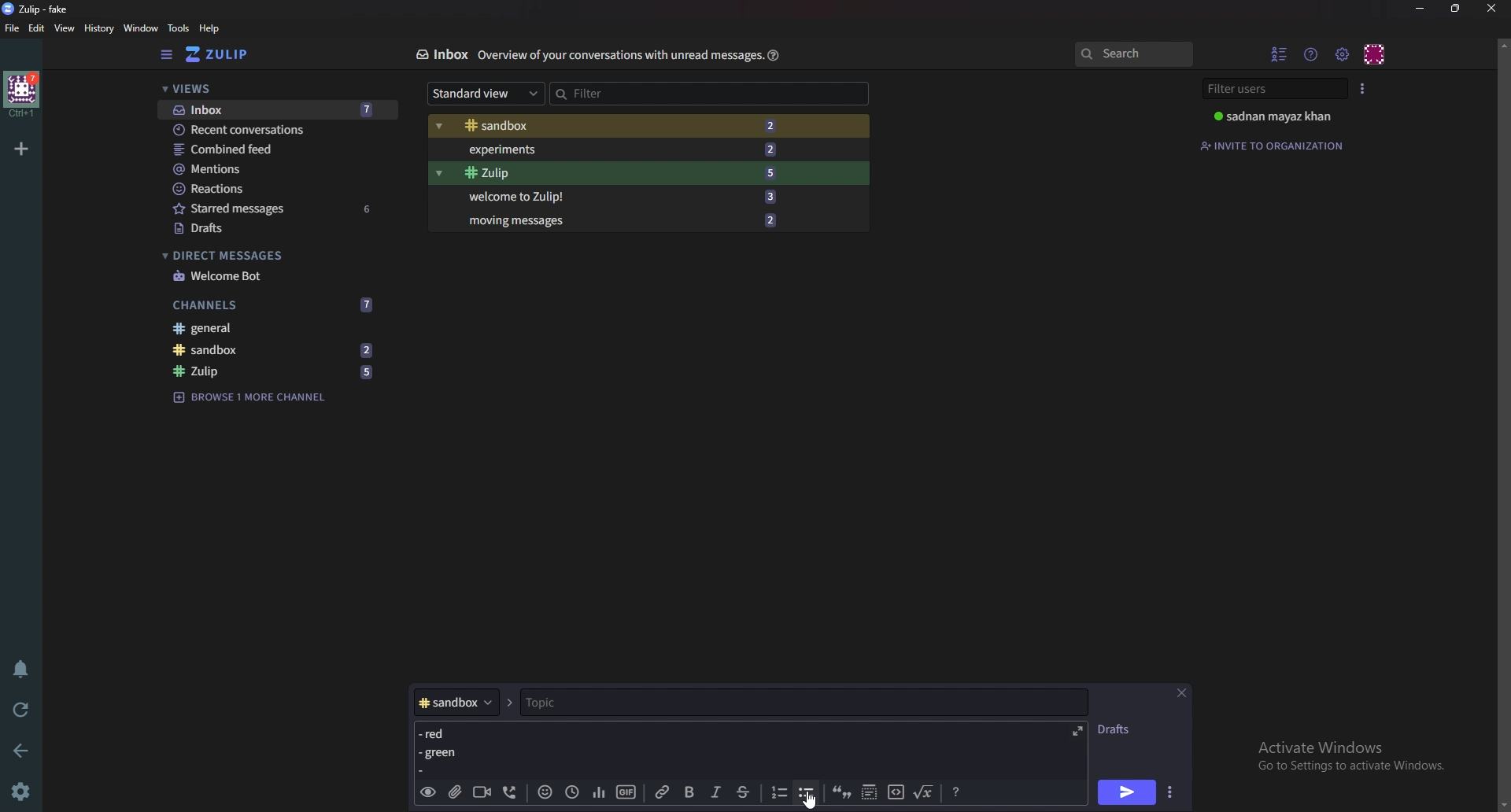 The image size is (1511, 812). I want to click on poll, so click(599, 791).